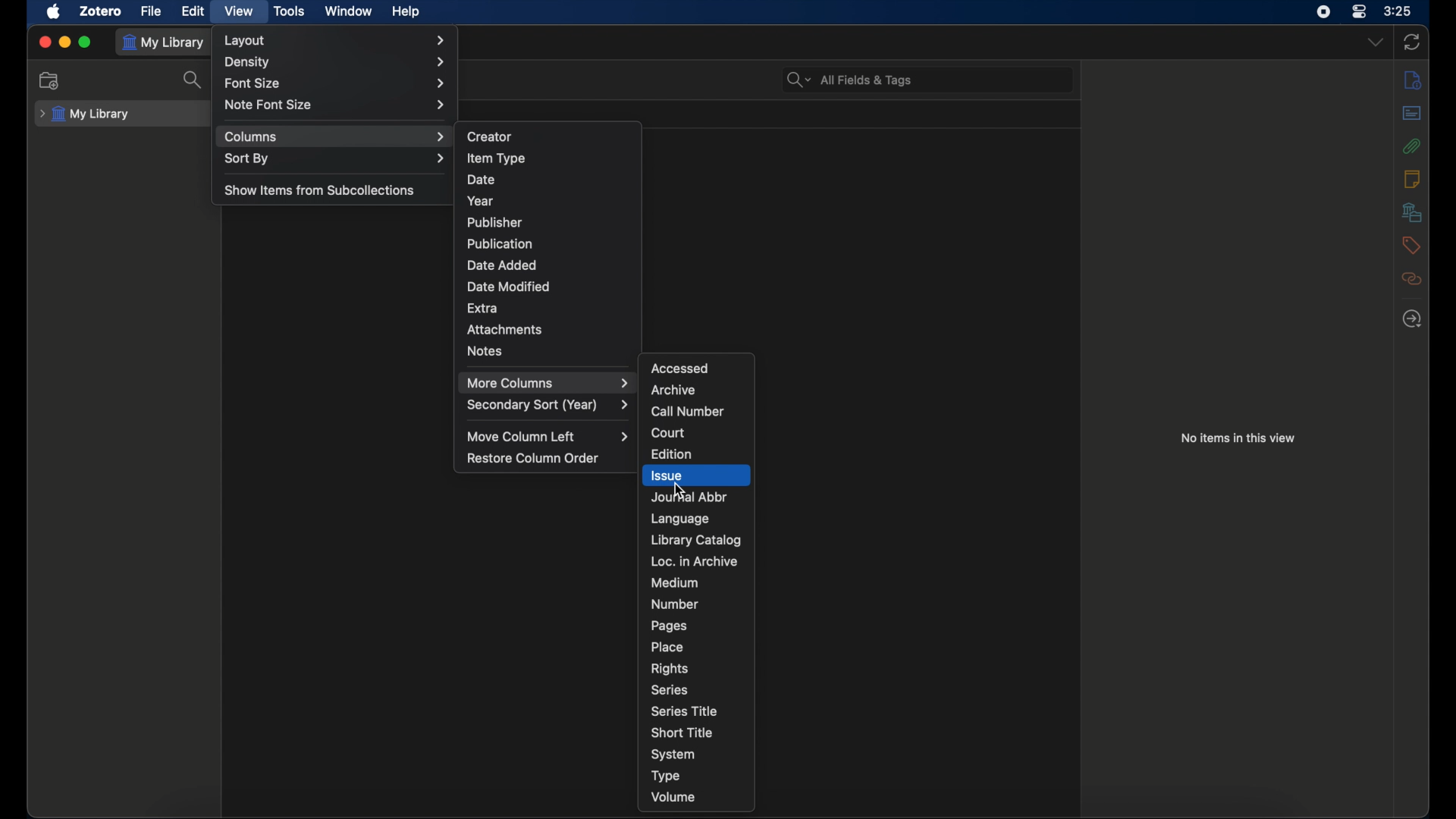 Image resolution: width=1456 pixels, height=819 pixels. Describe the element at coordinates (1376, 42) in the screenshot. I see `dropdown` at that location.